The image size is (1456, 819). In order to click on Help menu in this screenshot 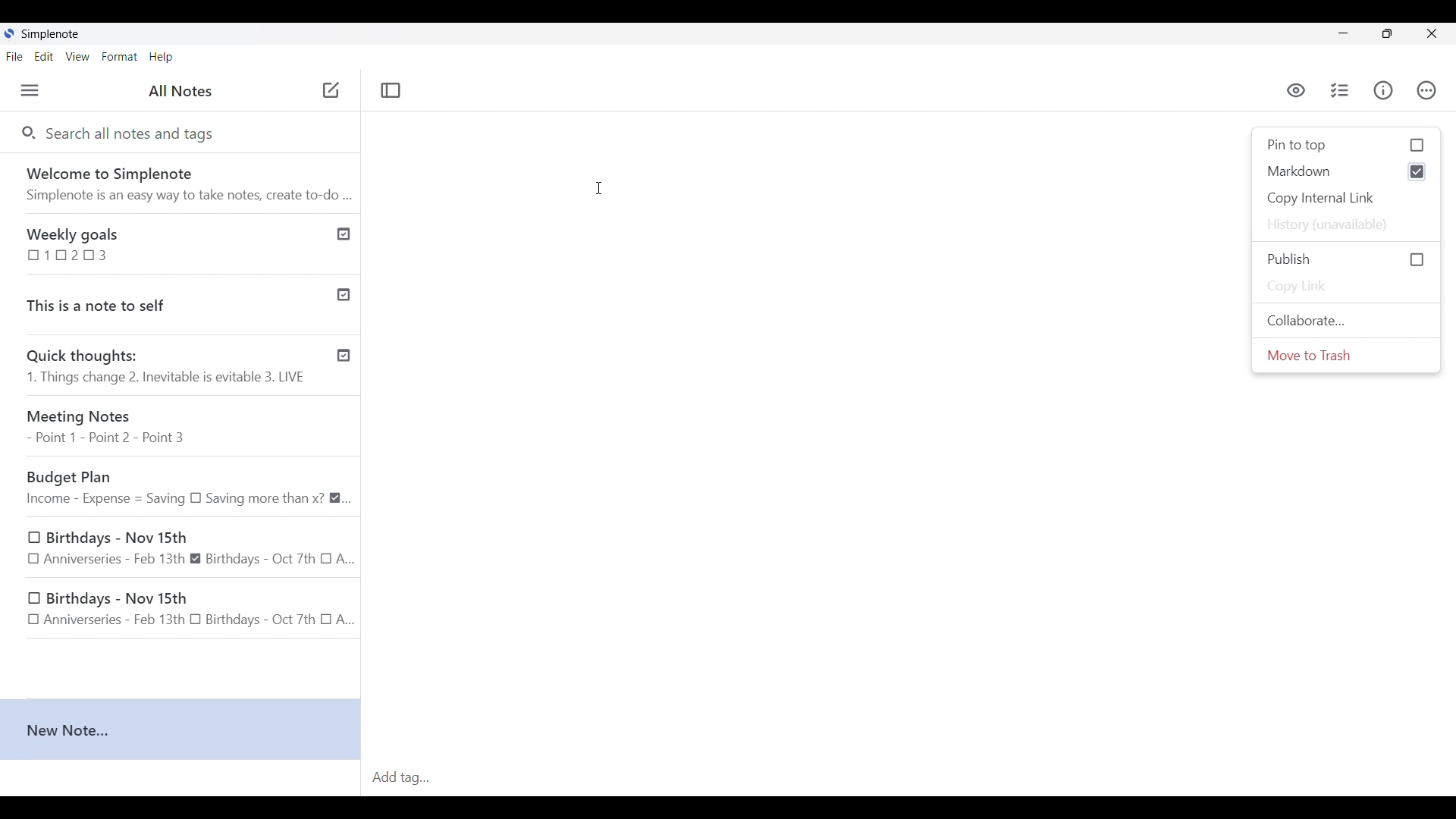, I will do `click(162, 57)`.